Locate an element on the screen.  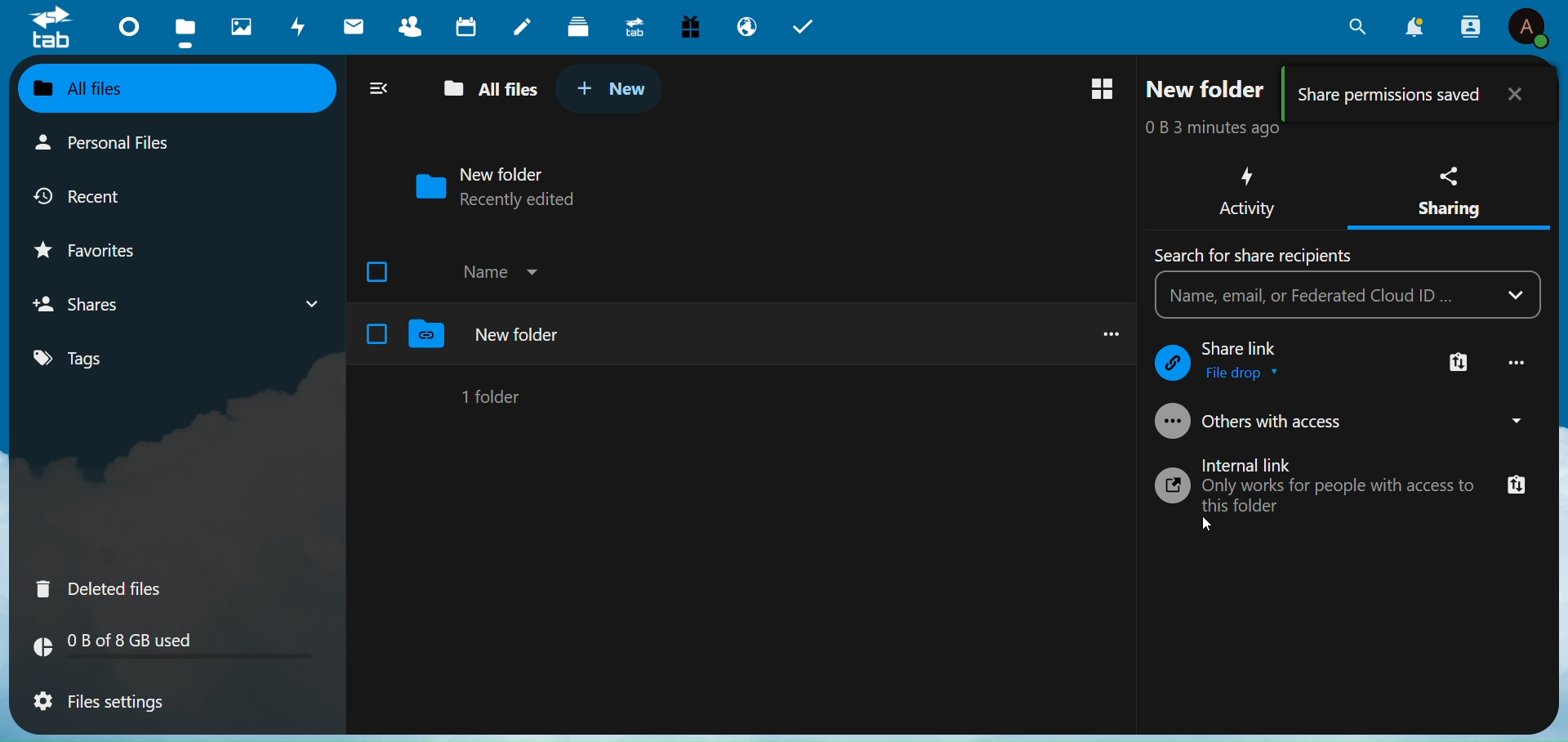
Search is located at coordinates (1354, 28).